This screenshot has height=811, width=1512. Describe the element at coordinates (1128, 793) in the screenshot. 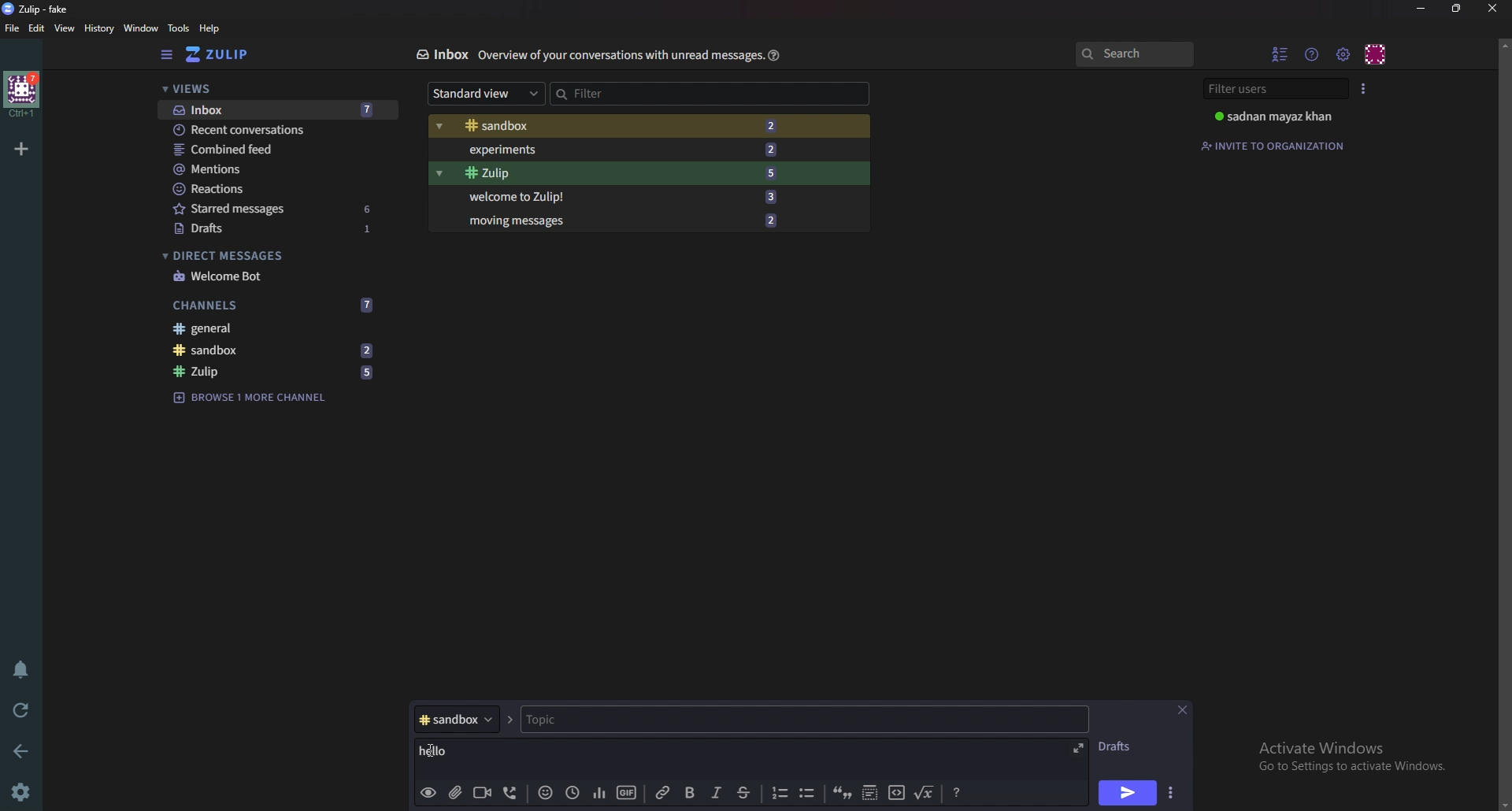

I see `send` at that location.